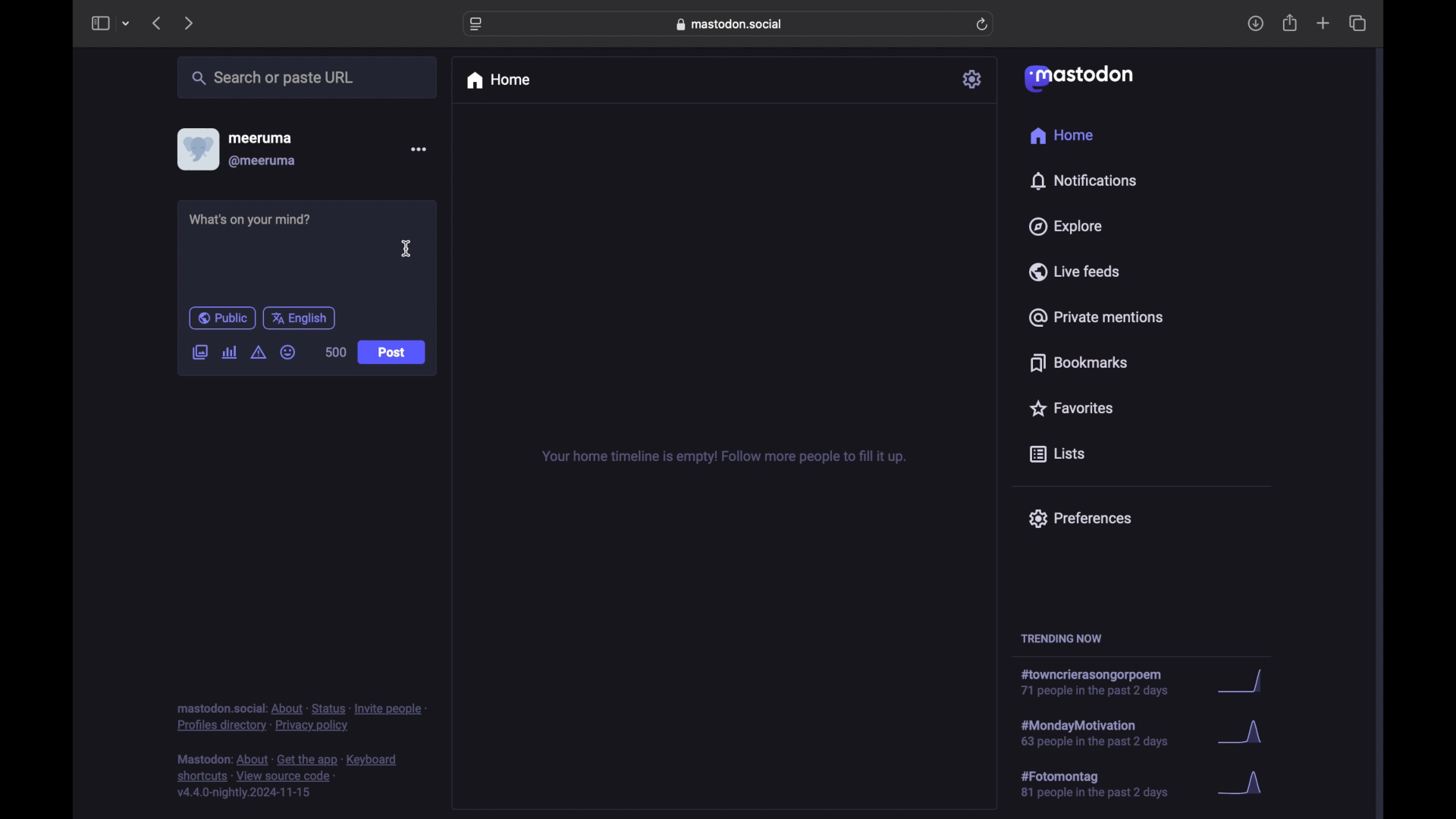 The height and width of the screenshot is (819, 1456). I want to click on post, so click(391, 353).